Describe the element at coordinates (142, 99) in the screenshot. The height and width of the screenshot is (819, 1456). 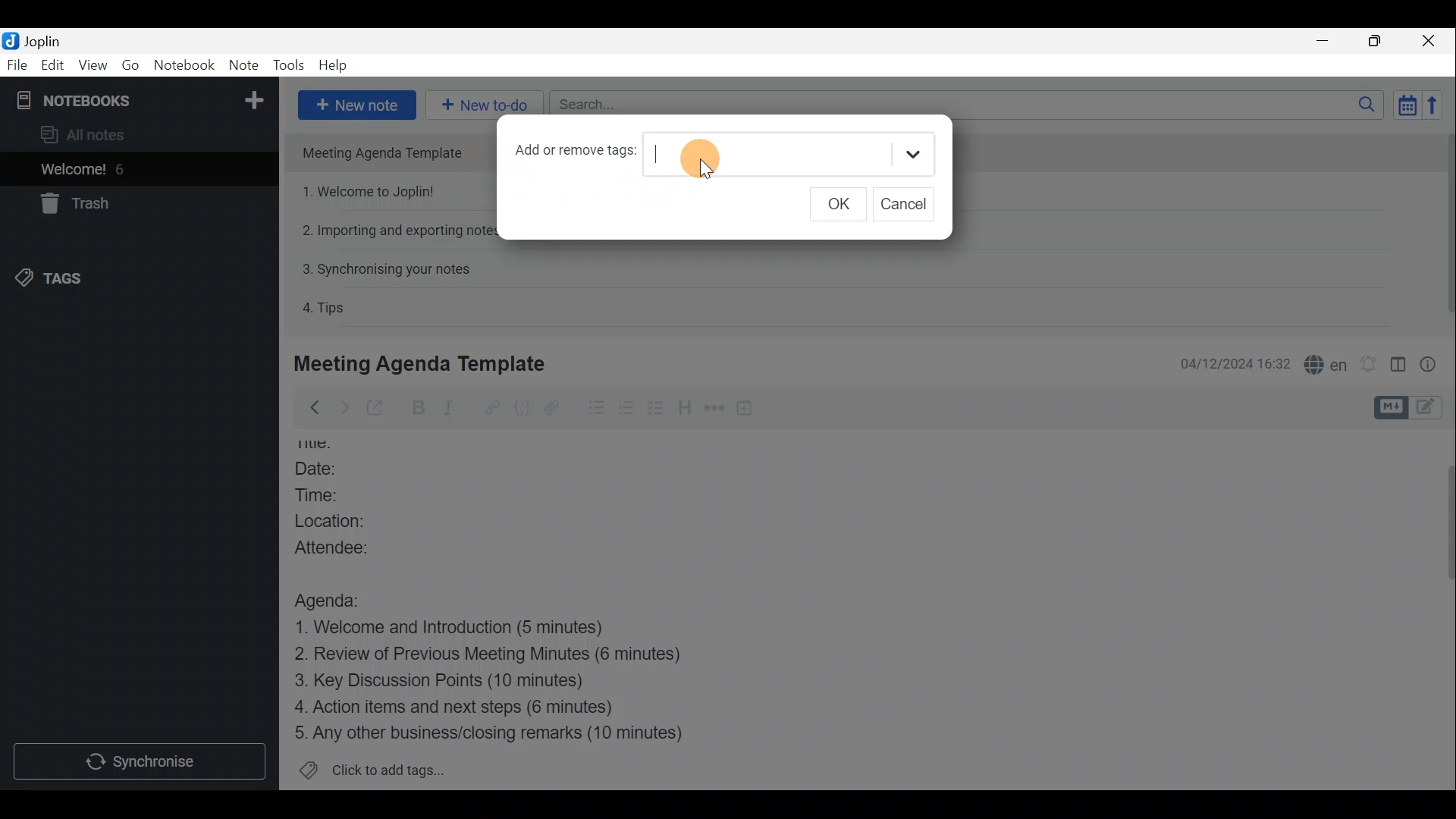
I see `Notebooks` at that location.